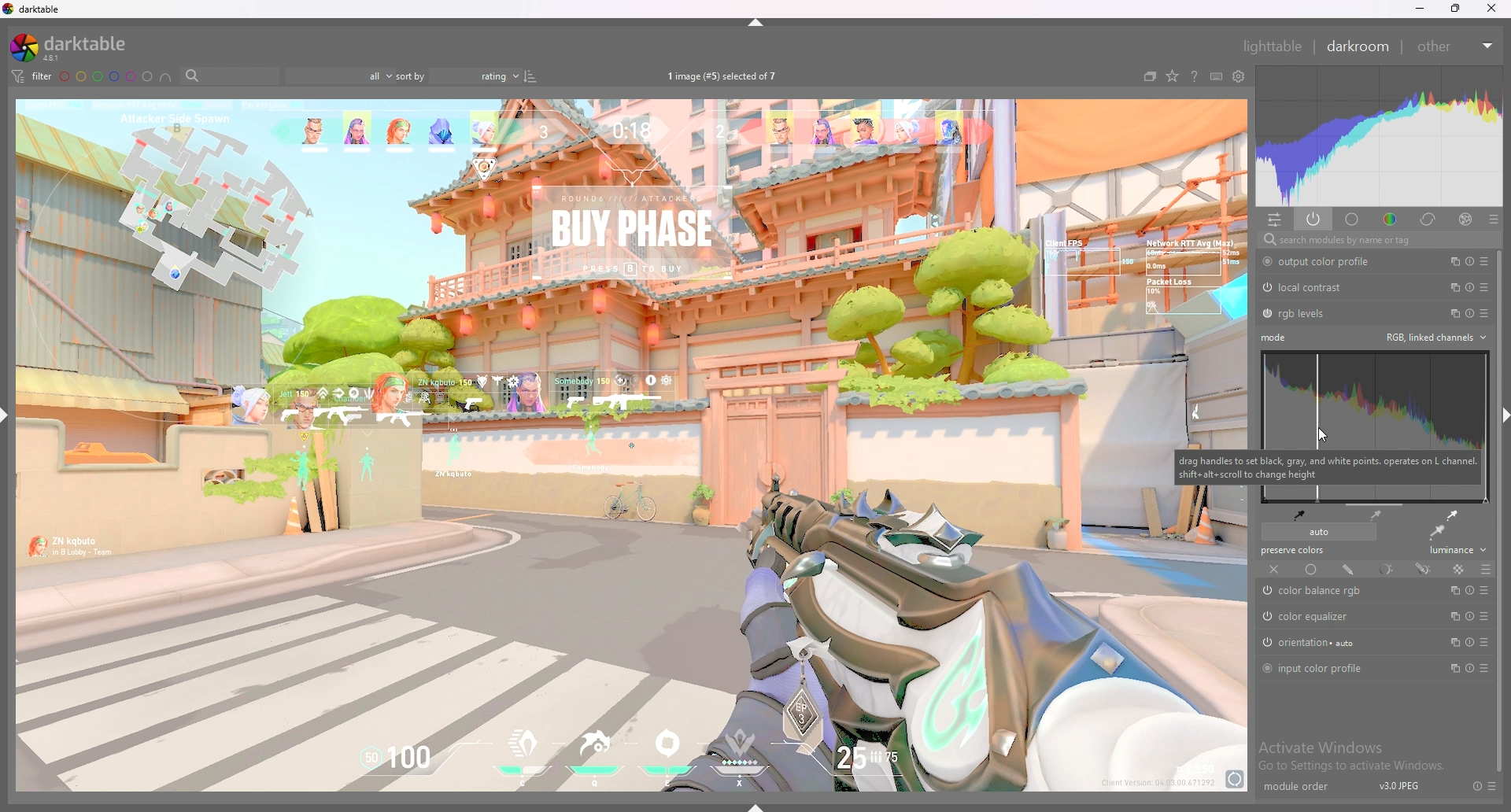 This screenshot has height=812, width=1511. What do you see at coordinates (1317, 532) in the screenshot?
I see `auto` at bounding box center [1317, 532].